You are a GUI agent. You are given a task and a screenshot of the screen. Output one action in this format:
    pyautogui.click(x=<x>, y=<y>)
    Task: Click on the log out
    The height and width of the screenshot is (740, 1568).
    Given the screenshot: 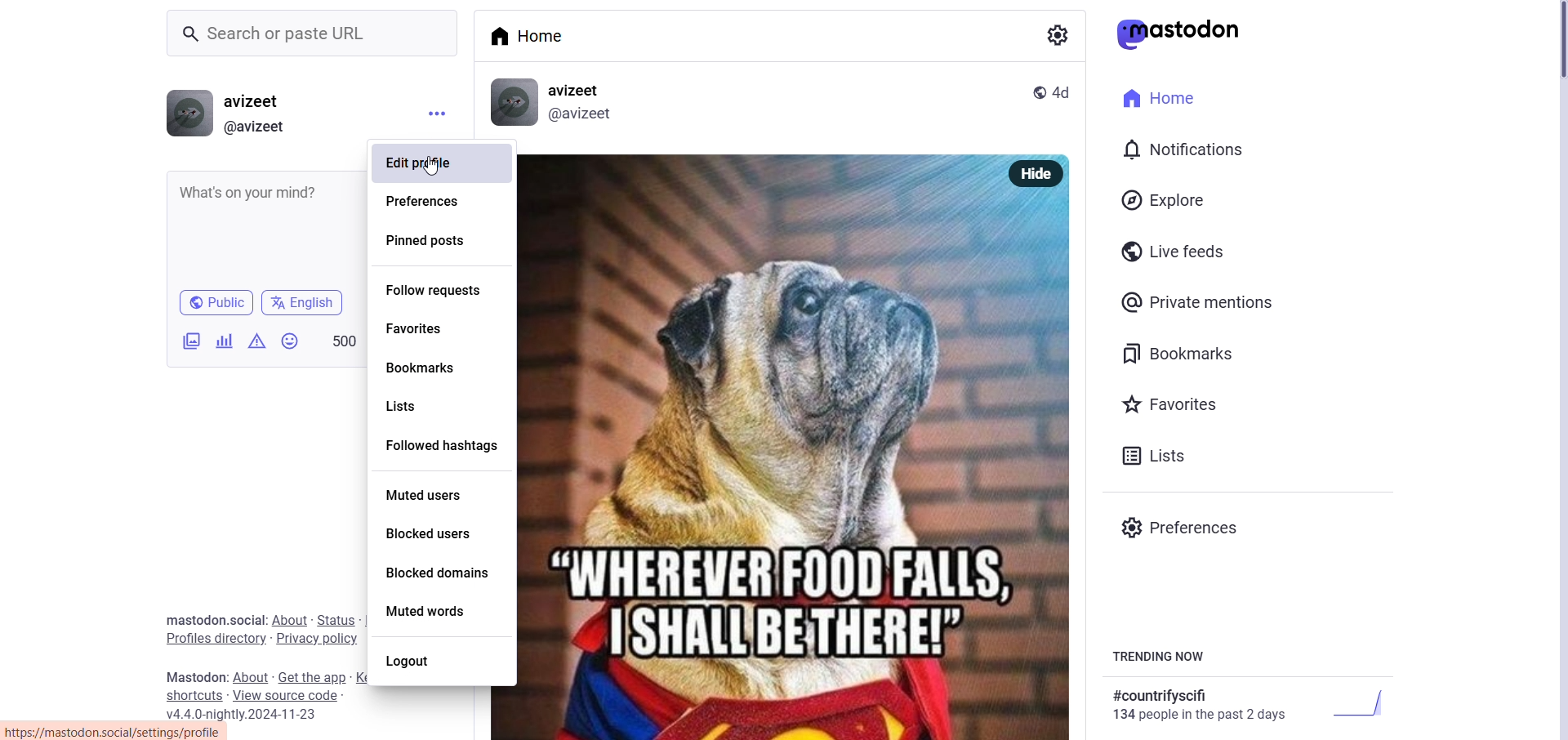 What is the action you would take?
    pyautogui.click(x=414, y=662)
    